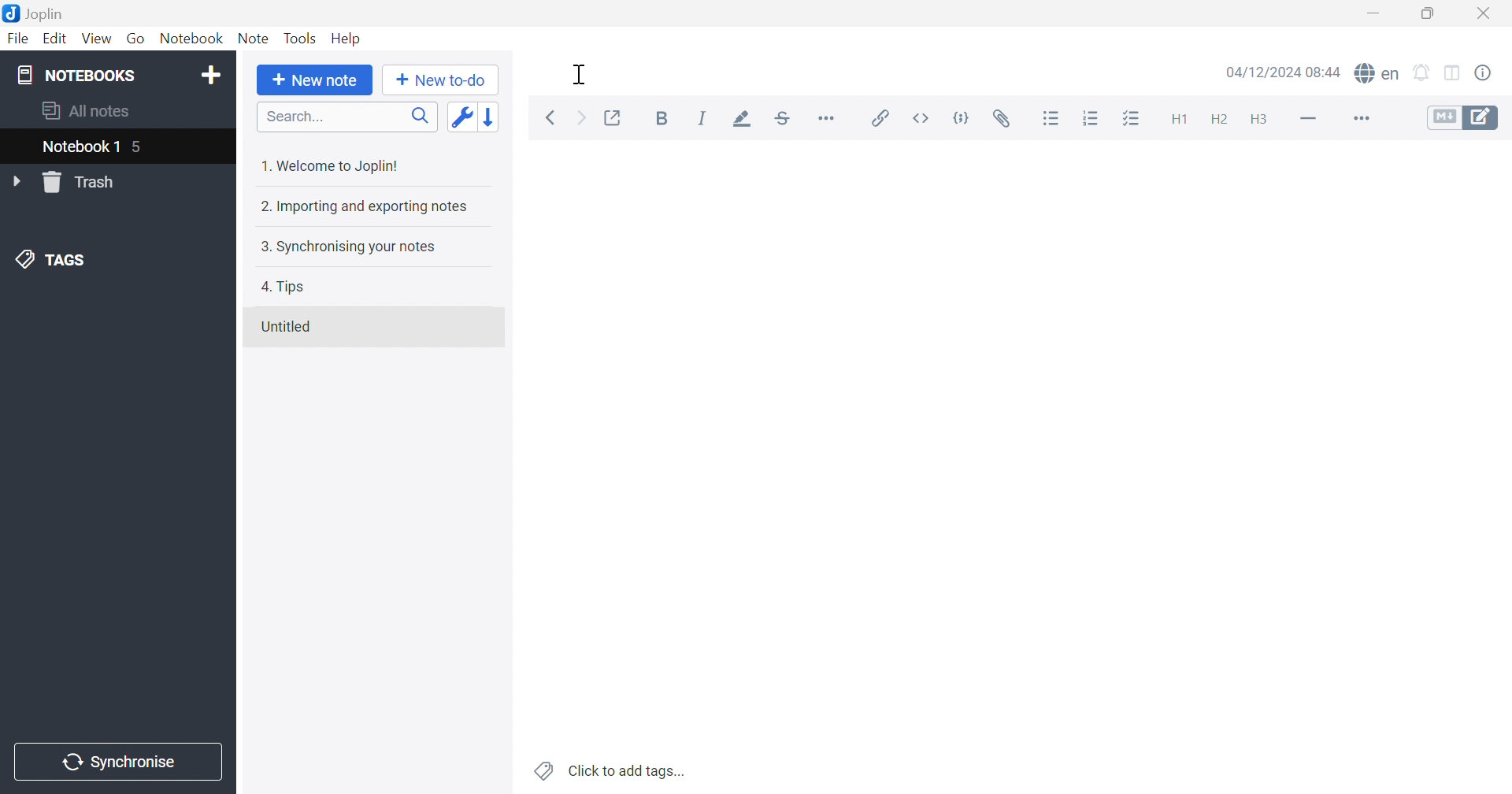 The height and width of the screenshot is (794, 1512). Describe the element at coordinates (739, 117) in the screenshot. I see `Highlight` at that location.